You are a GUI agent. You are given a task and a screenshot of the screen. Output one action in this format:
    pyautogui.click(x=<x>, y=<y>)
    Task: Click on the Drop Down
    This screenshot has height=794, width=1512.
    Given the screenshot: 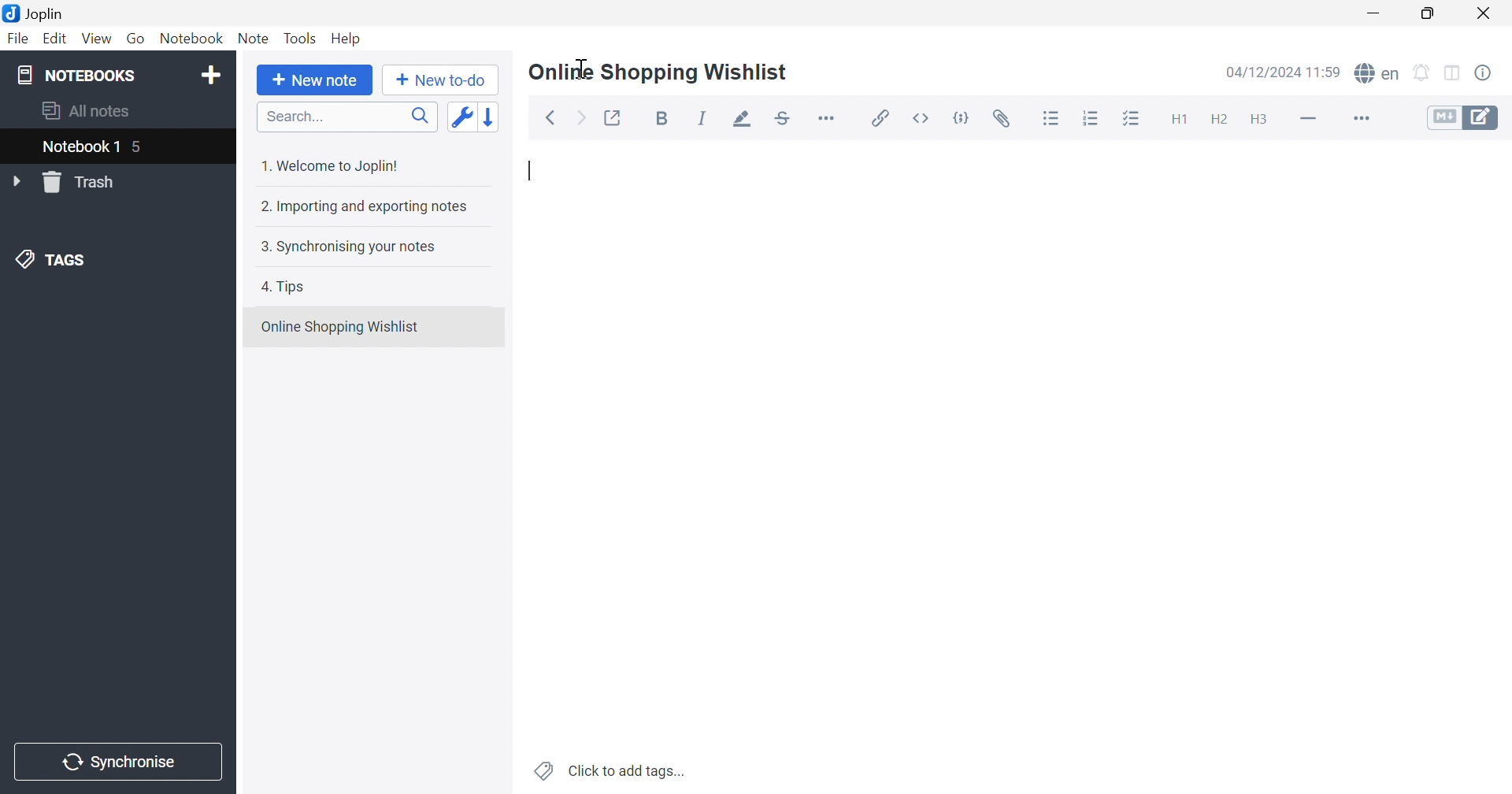 What is the action you would take?
    pyautogui.click(x=16, y=180)
    